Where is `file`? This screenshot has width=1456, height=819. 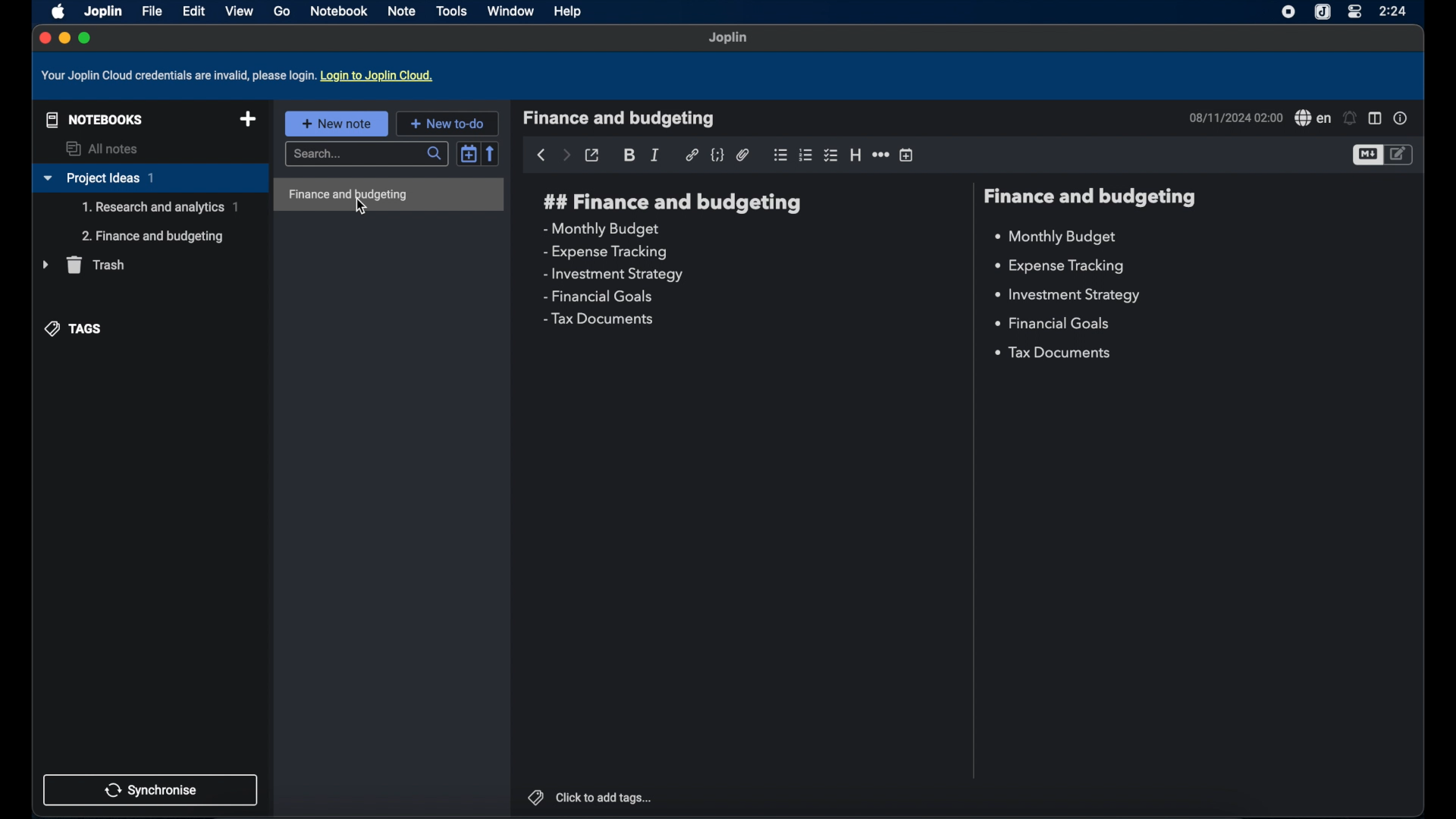
file is located at coordinates (152, 11).